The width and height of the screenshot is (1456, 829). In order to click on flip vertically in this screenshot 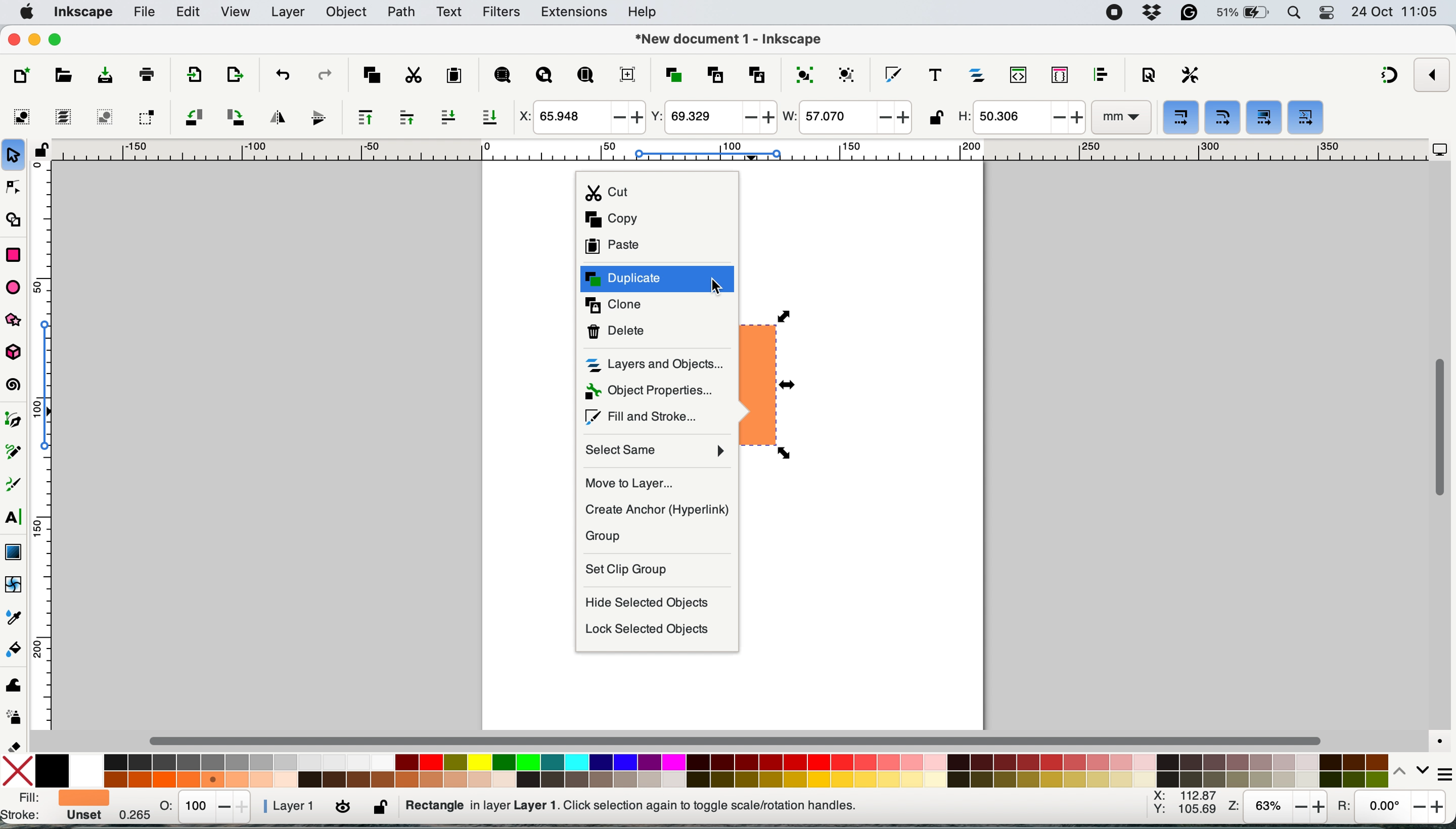, I will do `click(314, 117)`.